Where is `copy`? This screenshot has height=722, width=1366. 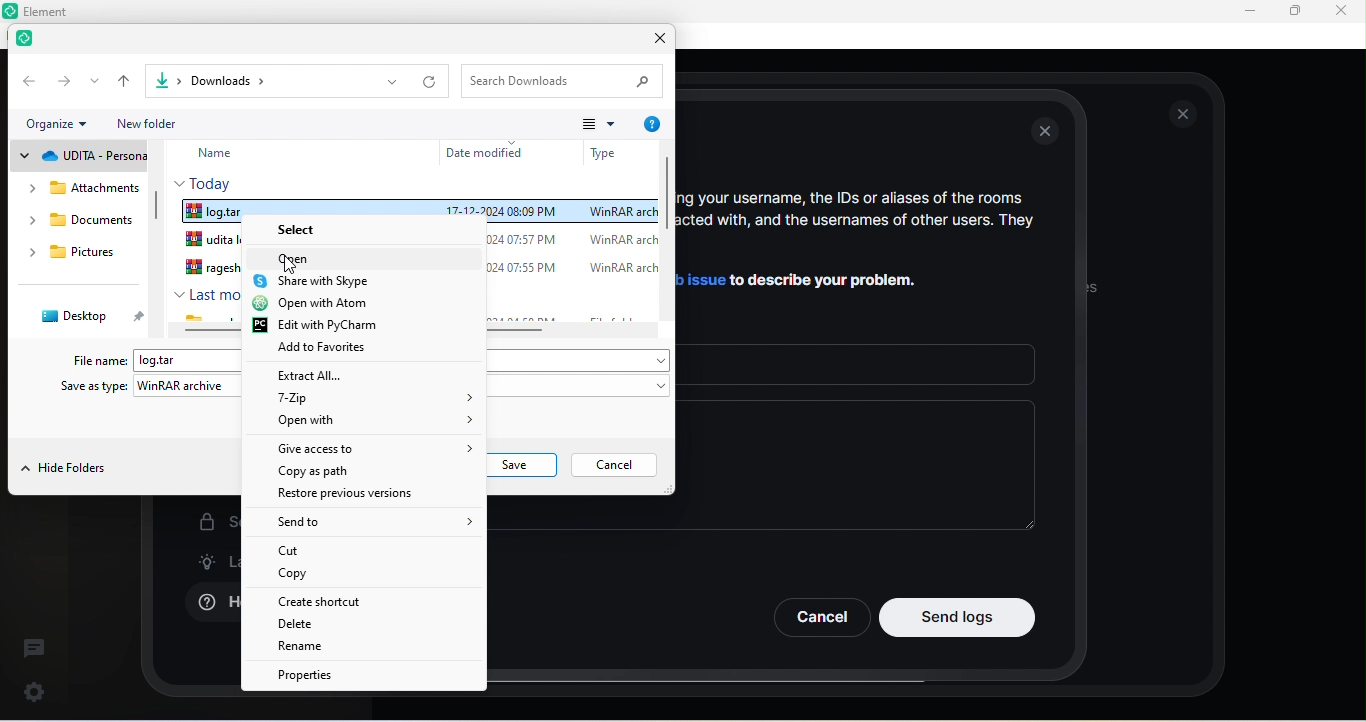
copy is located at coordinates (292, 575).